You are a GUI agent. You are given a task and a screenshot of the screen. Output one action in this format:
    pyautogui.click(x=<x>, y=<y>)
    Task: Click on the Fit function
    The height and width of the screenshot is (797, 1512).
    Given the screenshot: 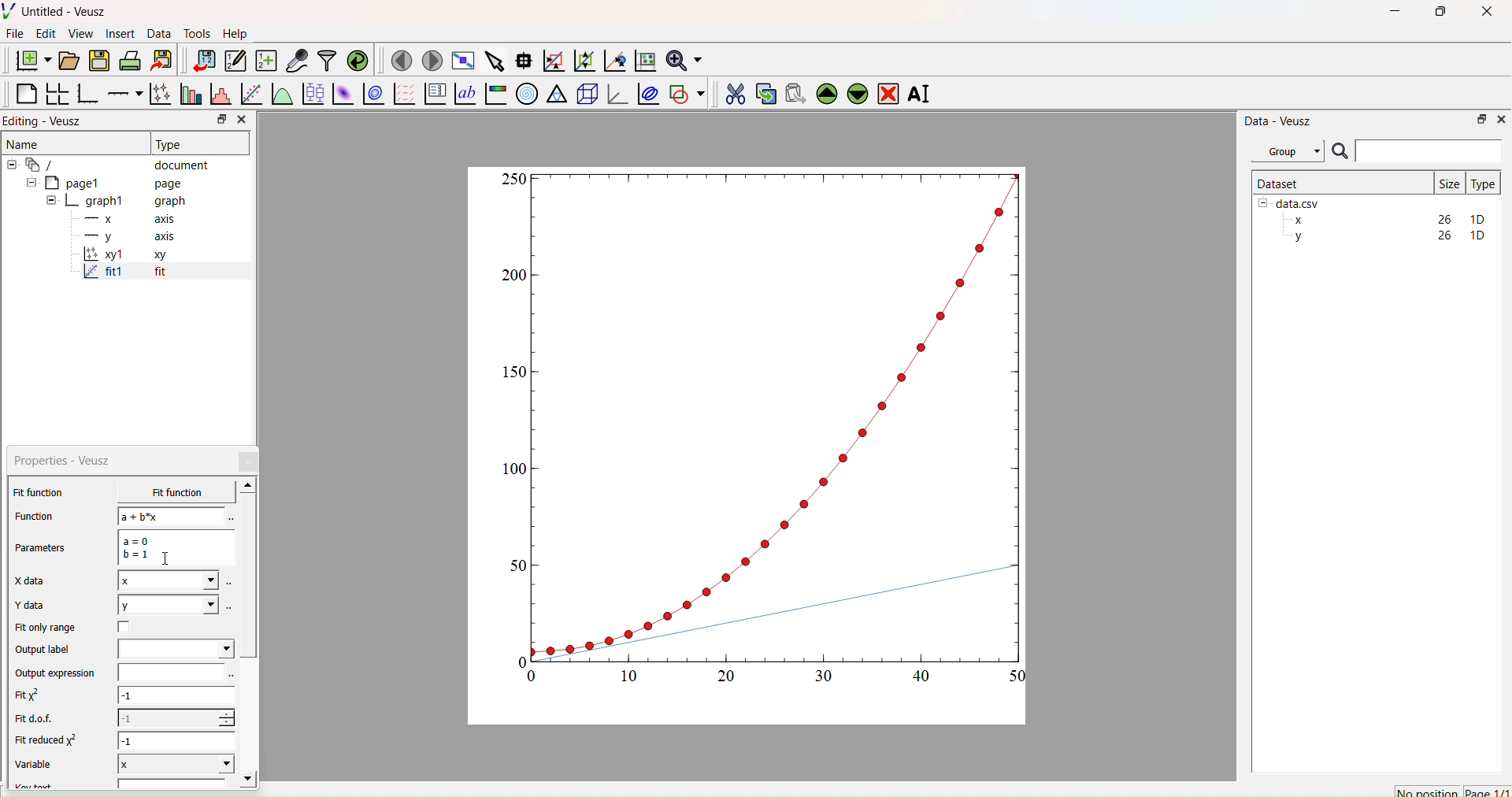 What is the action you would take?
    pyautogui.click(x=40, y=492)
    